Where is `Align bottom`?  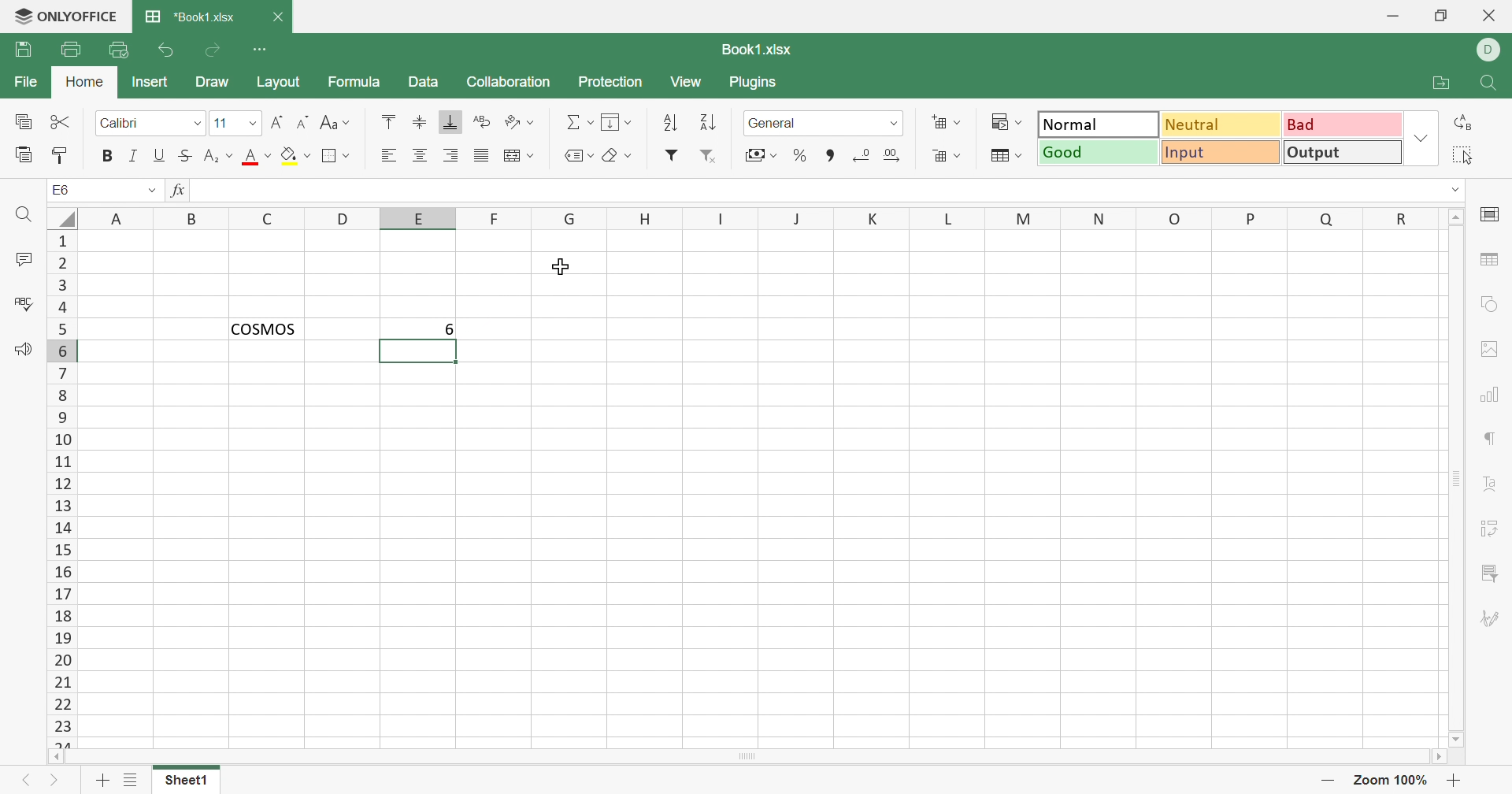
Align bottom is located at coordinates (451, 122).